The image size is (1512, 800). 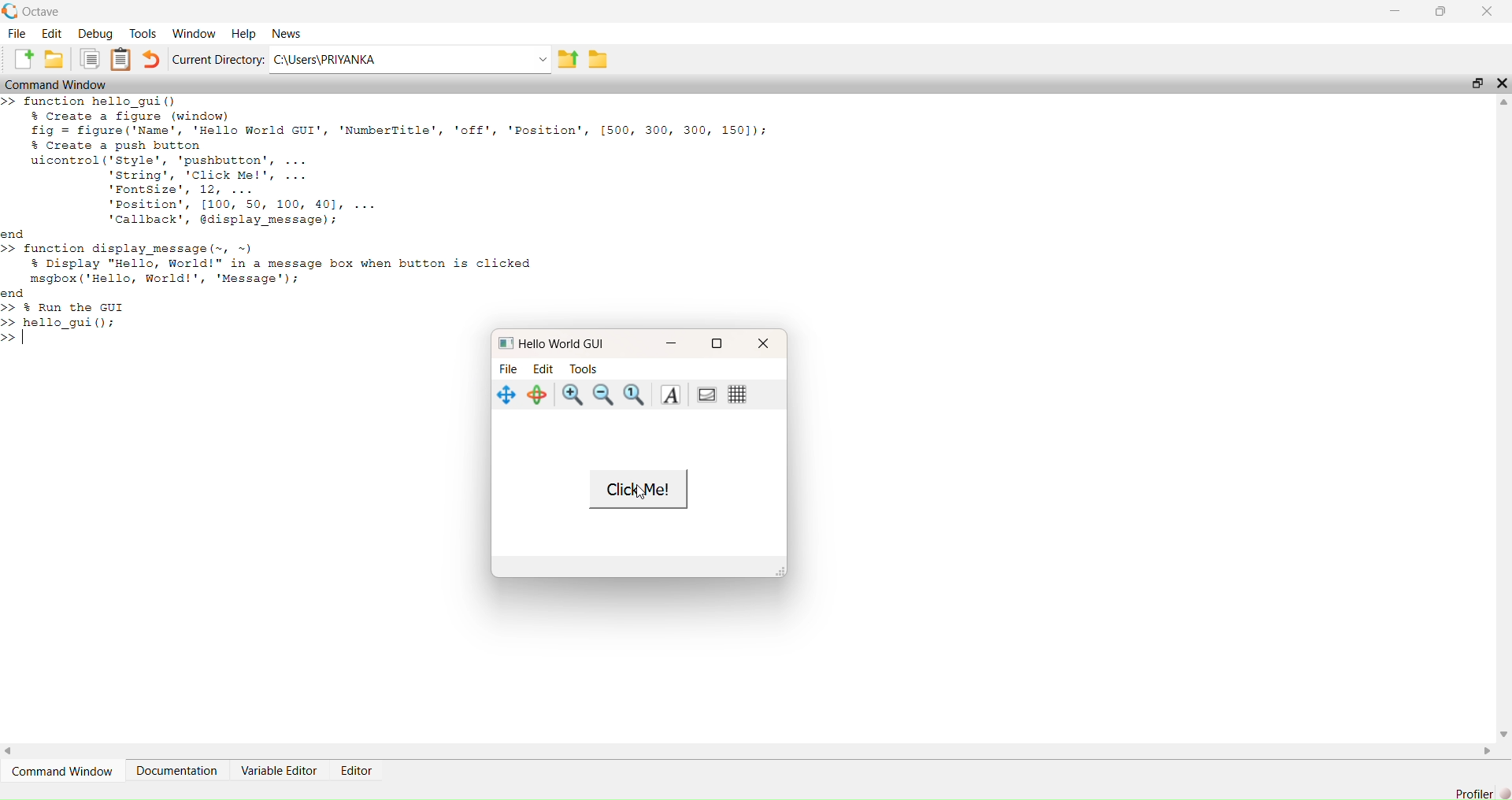 I want to click on close, so click(x=1488, y=10).